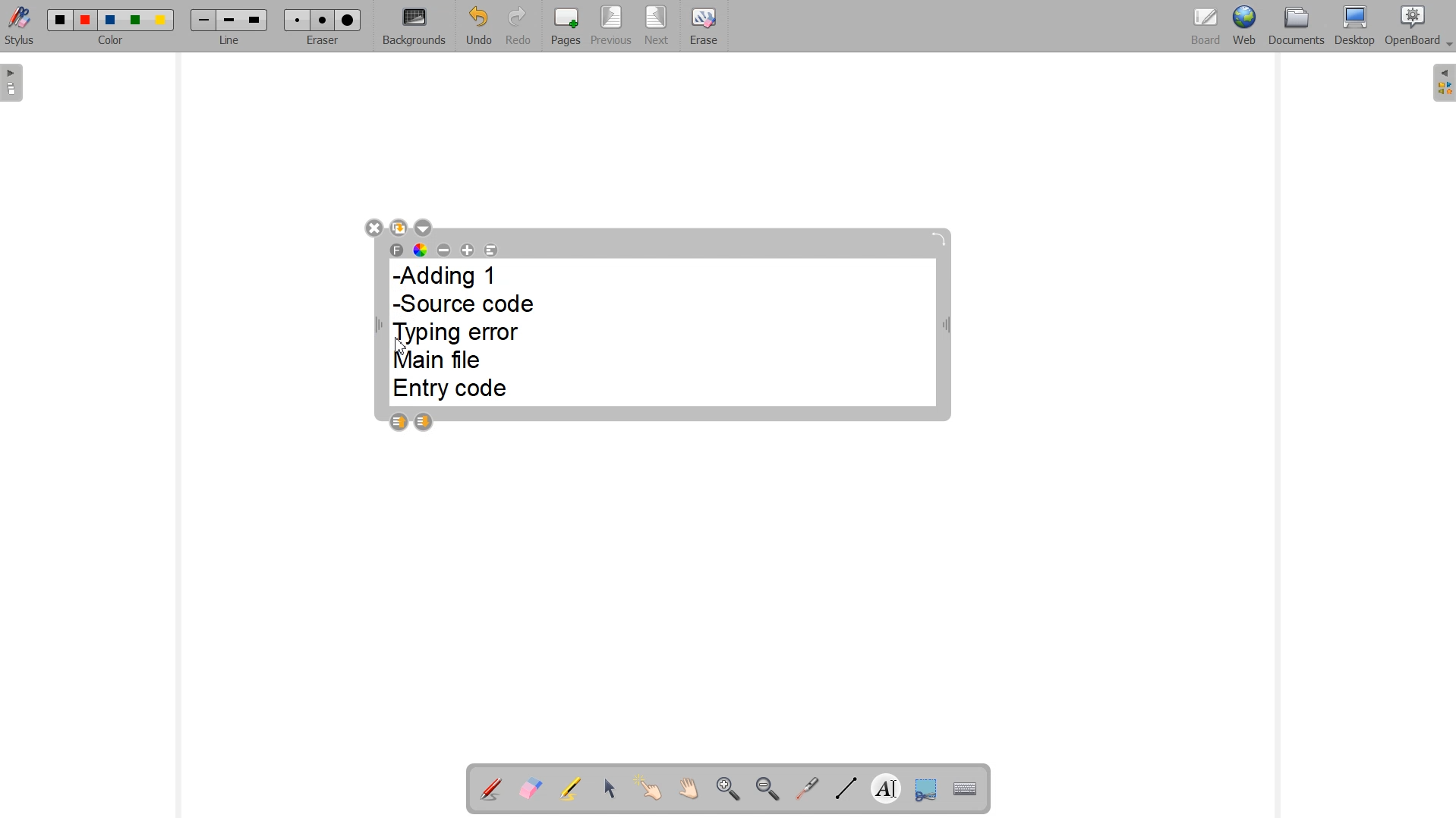  Describe the element at coordinates (1206, 27) in the screenshot. I see `Board` at that location.